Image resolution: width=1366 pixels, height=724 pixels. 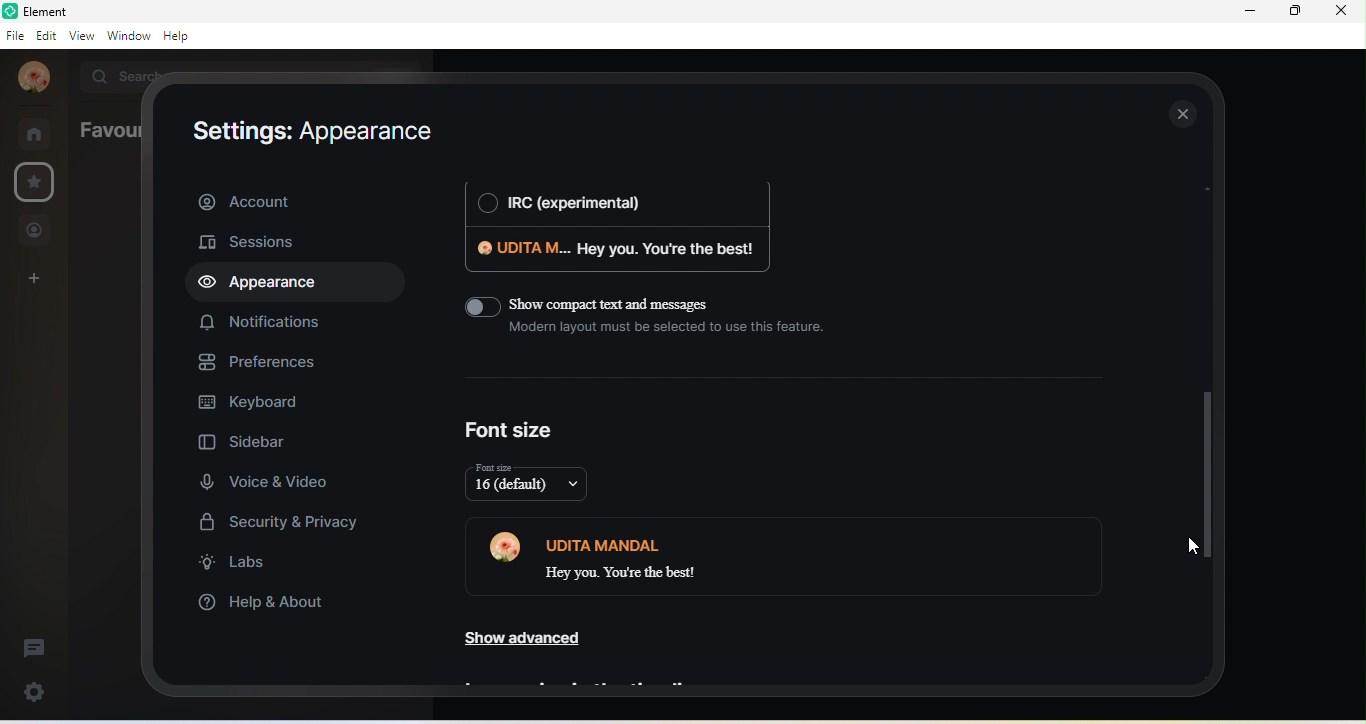 What do you see at coordinates (127, 36) in the screenshot?
I see `window` at bounding box center [127, 36].